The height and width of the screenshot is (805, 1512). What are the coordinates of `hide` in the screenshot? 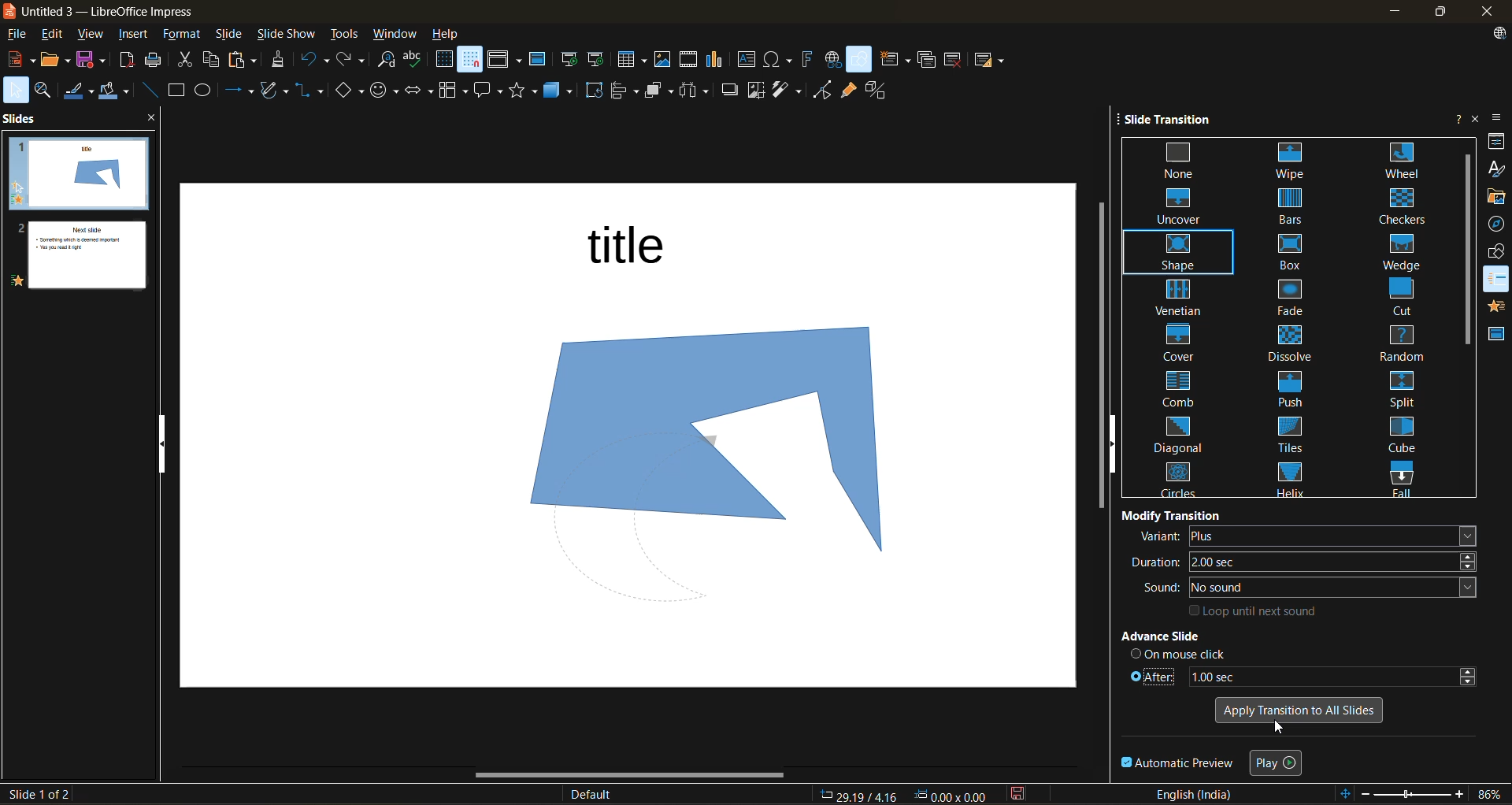 It's located at (166, 446).